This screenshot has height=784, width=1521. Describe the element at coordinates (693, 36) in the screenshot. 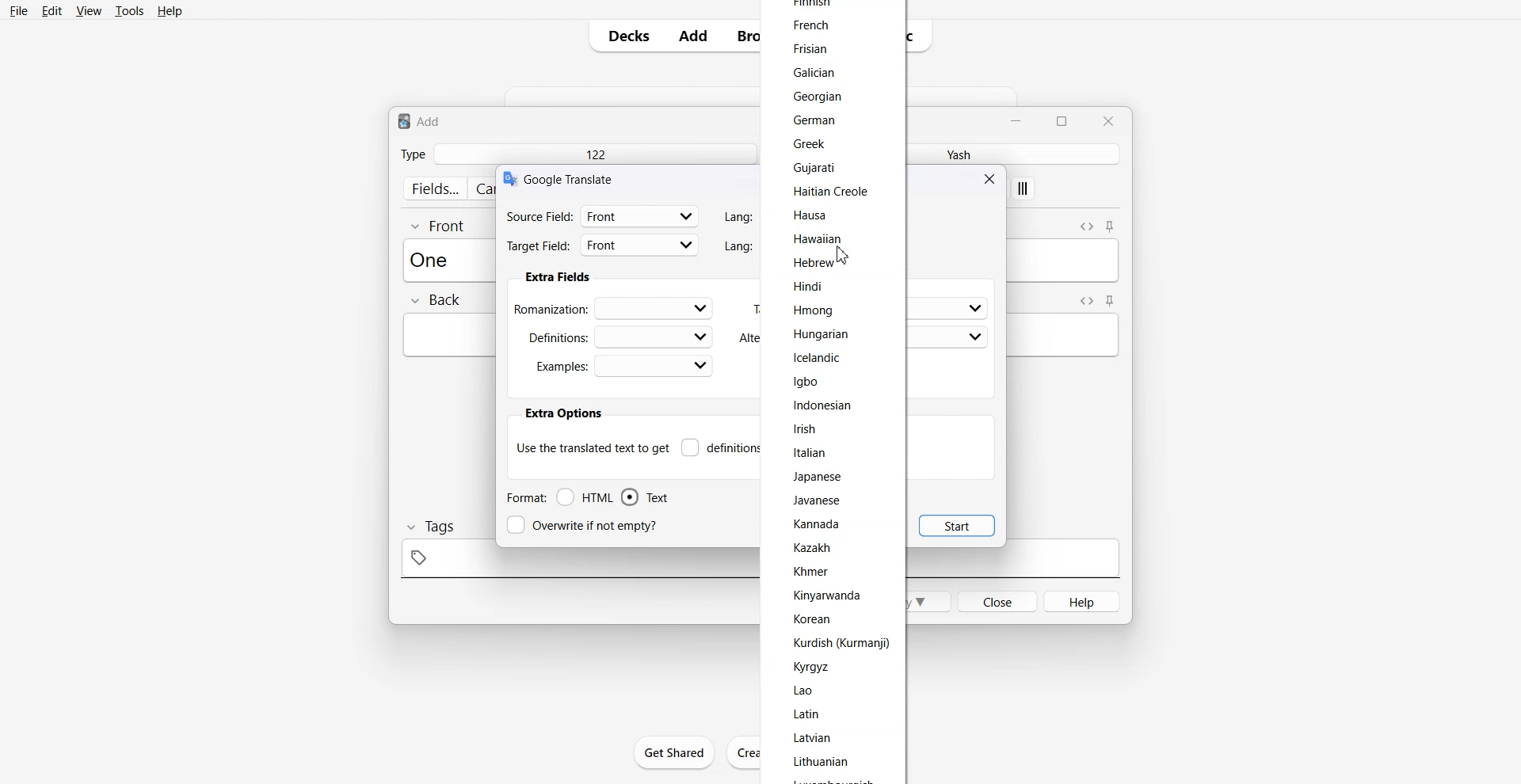

I see `Add` at that location.